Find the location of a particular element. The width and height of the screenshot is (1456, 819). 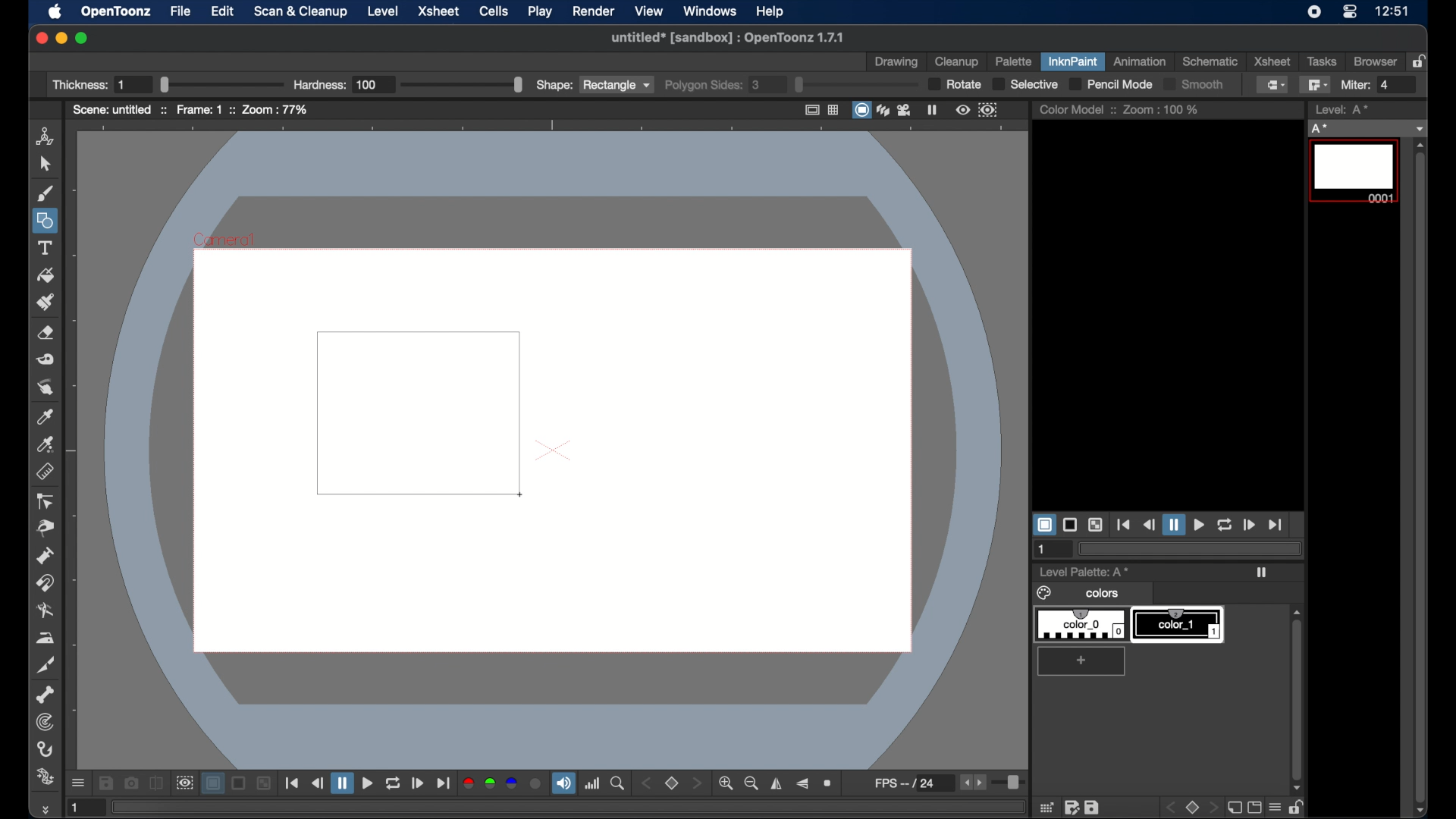

control center is located at coordinates (1350, 12).